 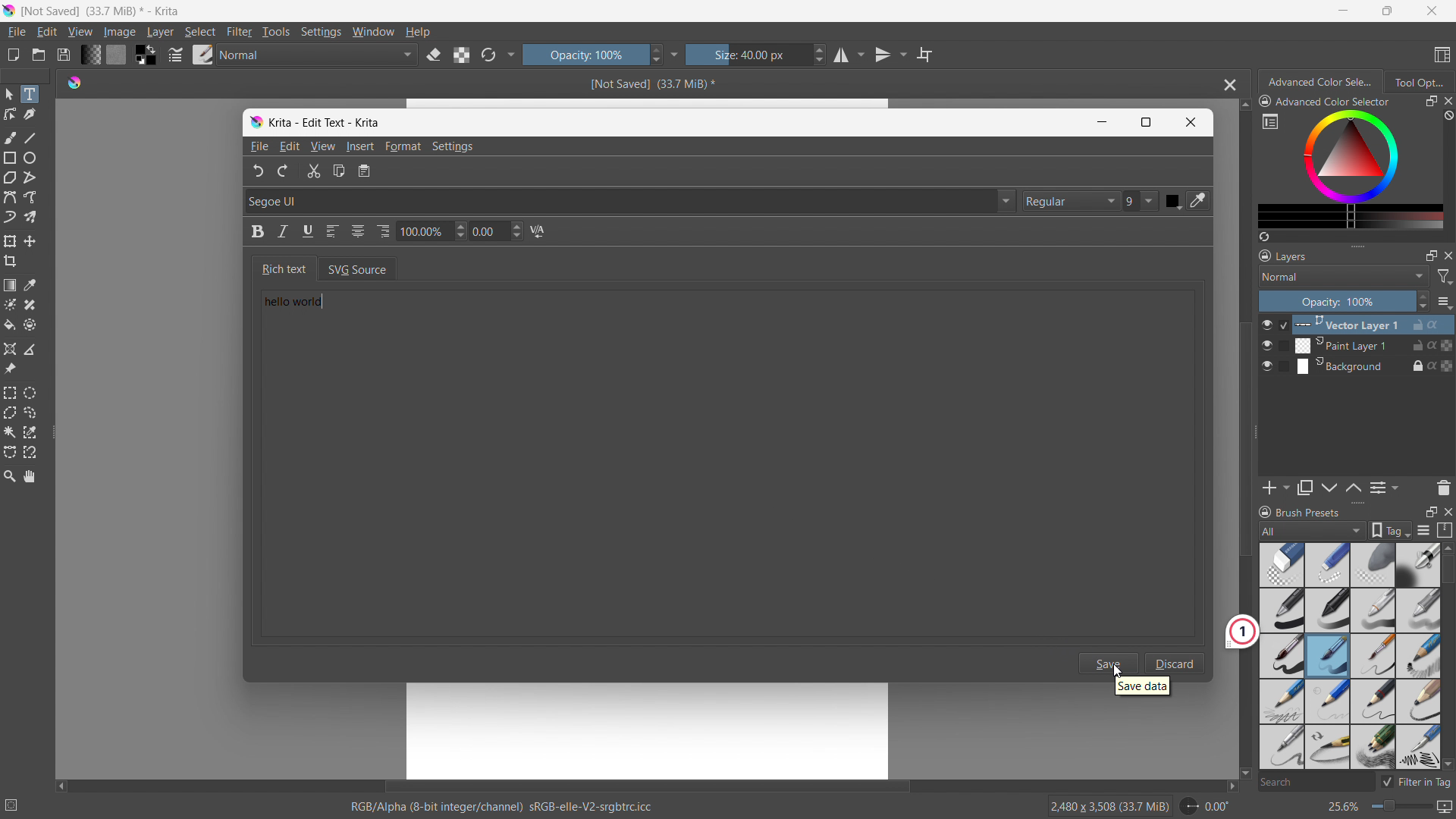 I want to click on Brush, so click(x=1328, y=656).